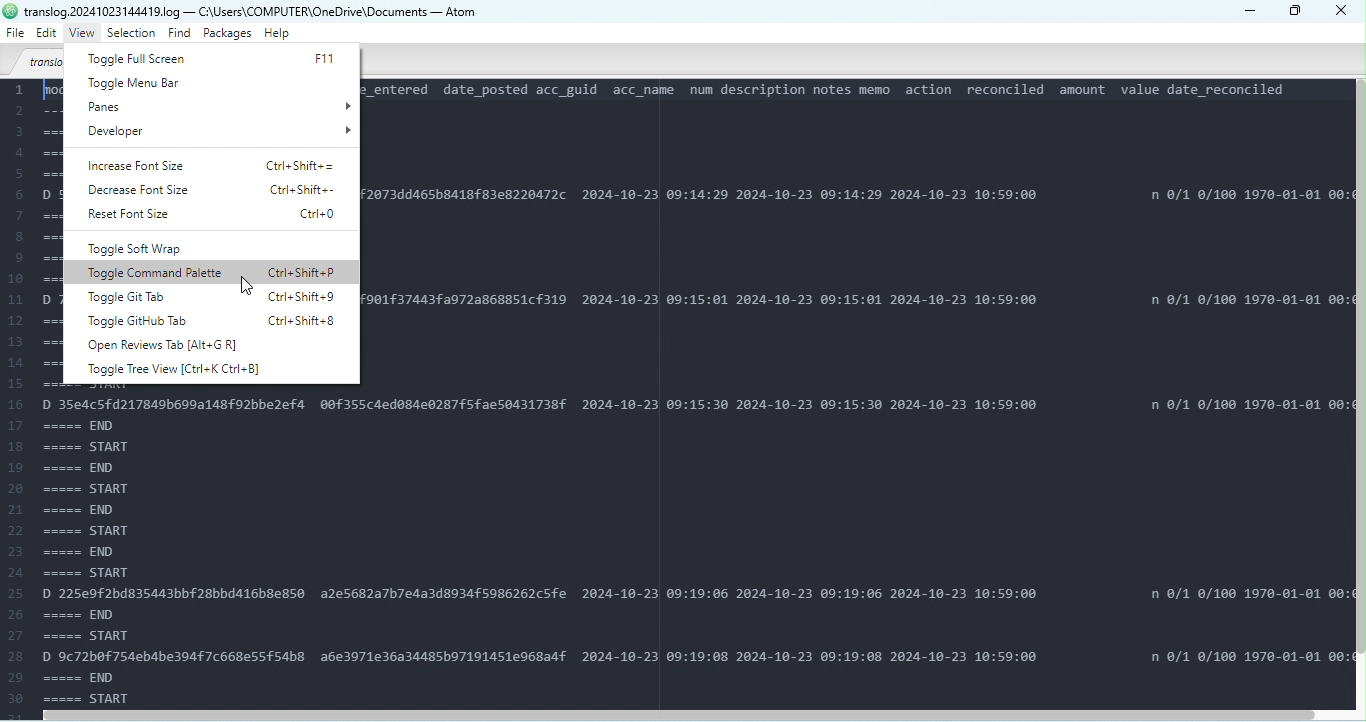 This screenshot has height=722, width=1366. I want to click on Reset font size, so click(221, 216).